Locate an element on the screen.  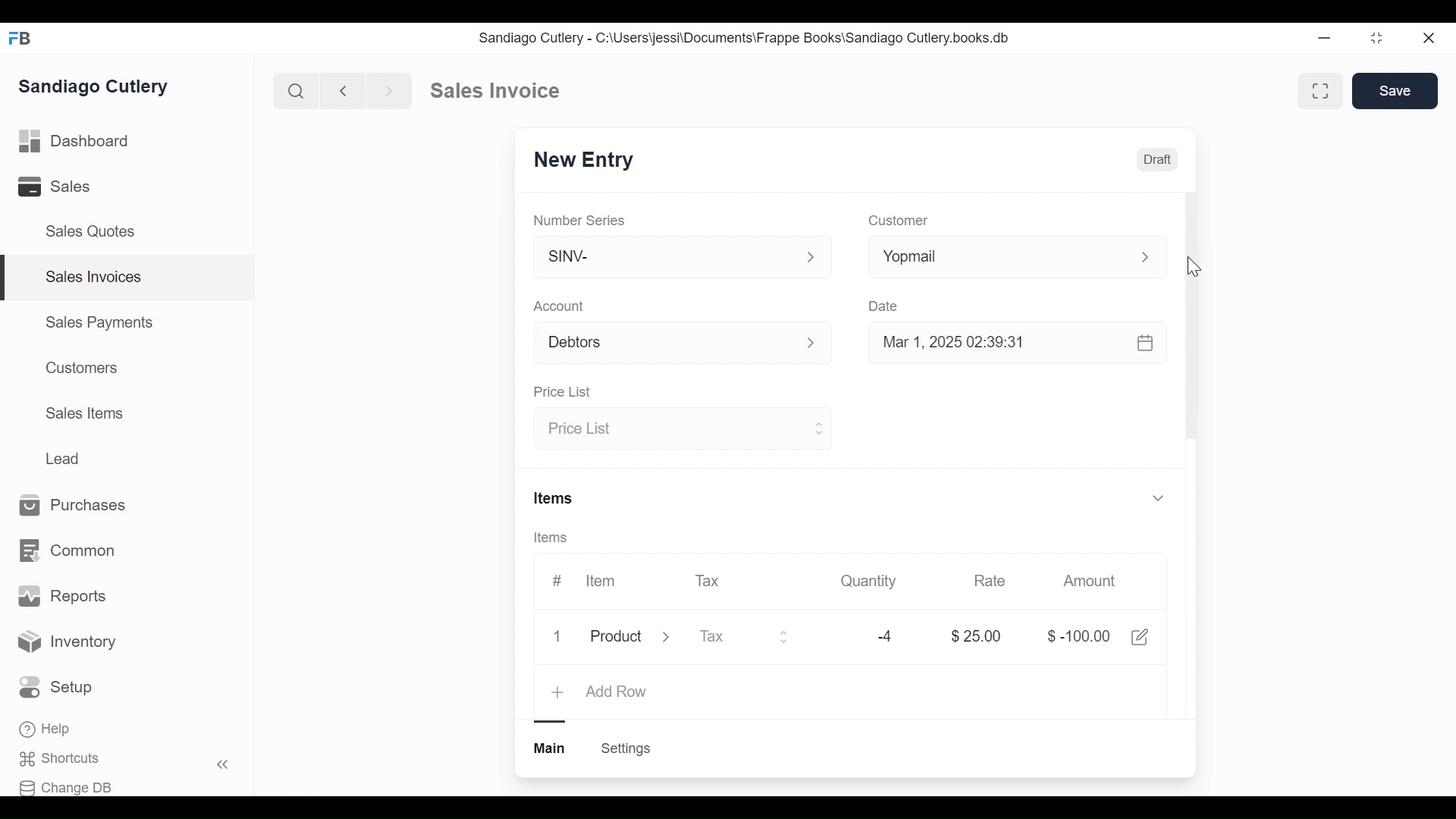
Sandiago Cutlery is located at coordinates (94, 85).